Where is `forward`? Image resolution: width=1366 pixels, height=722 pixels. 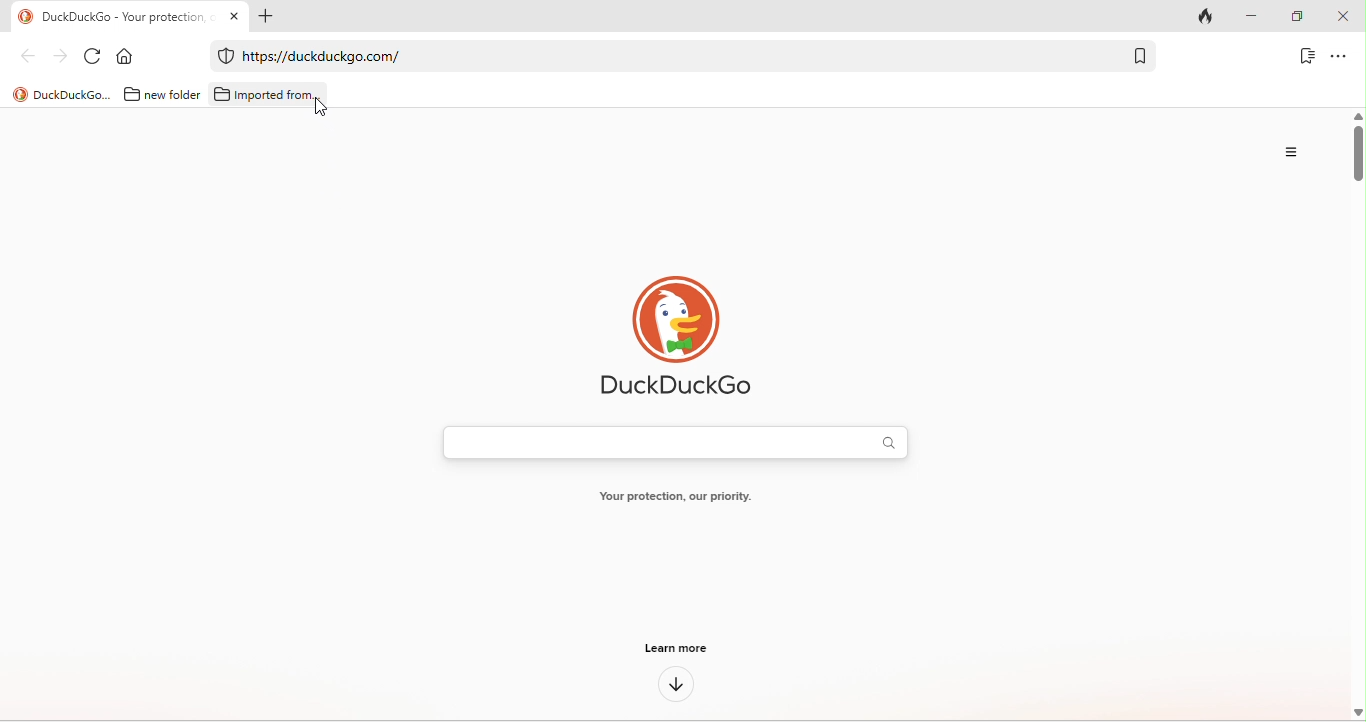
forward is located at coordinates (56, 55).